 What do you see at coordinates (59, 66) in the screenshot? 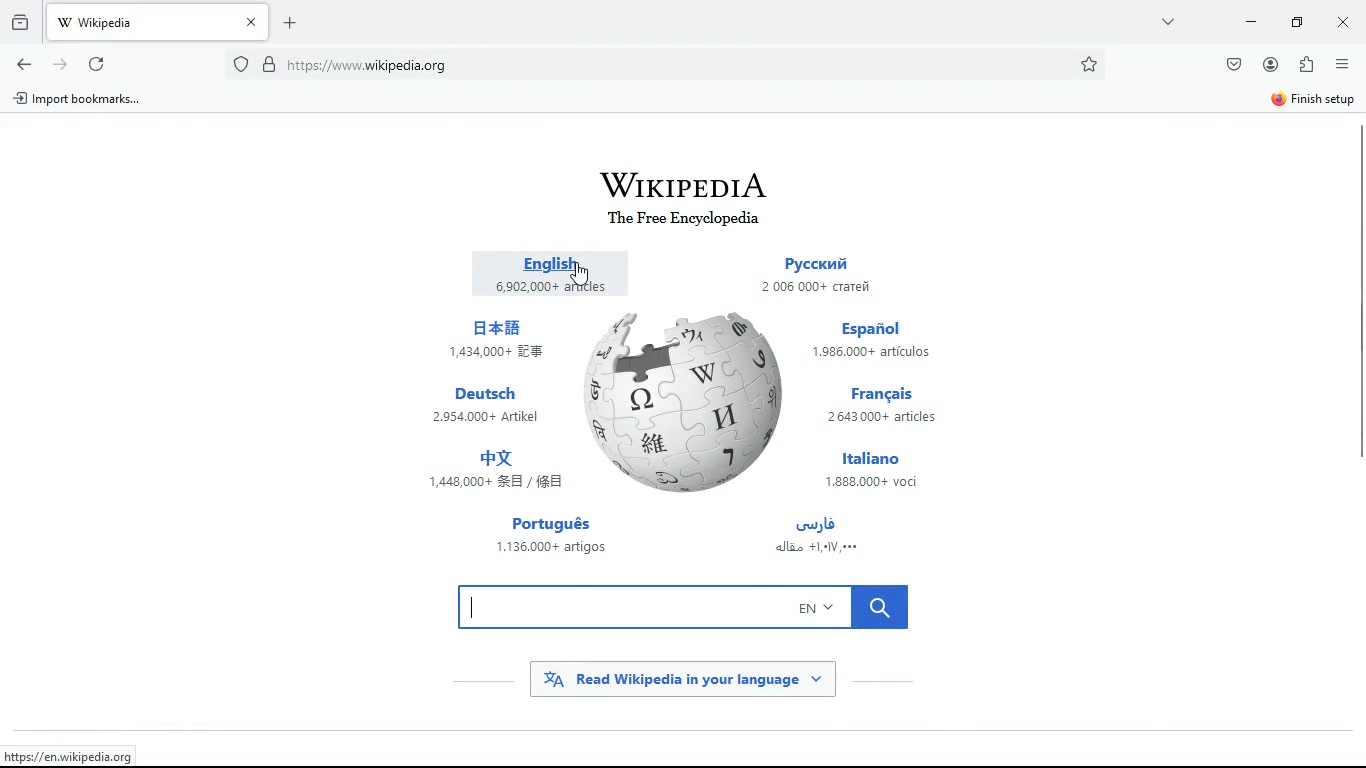
I see `forward` at bounding box center [59, 66].